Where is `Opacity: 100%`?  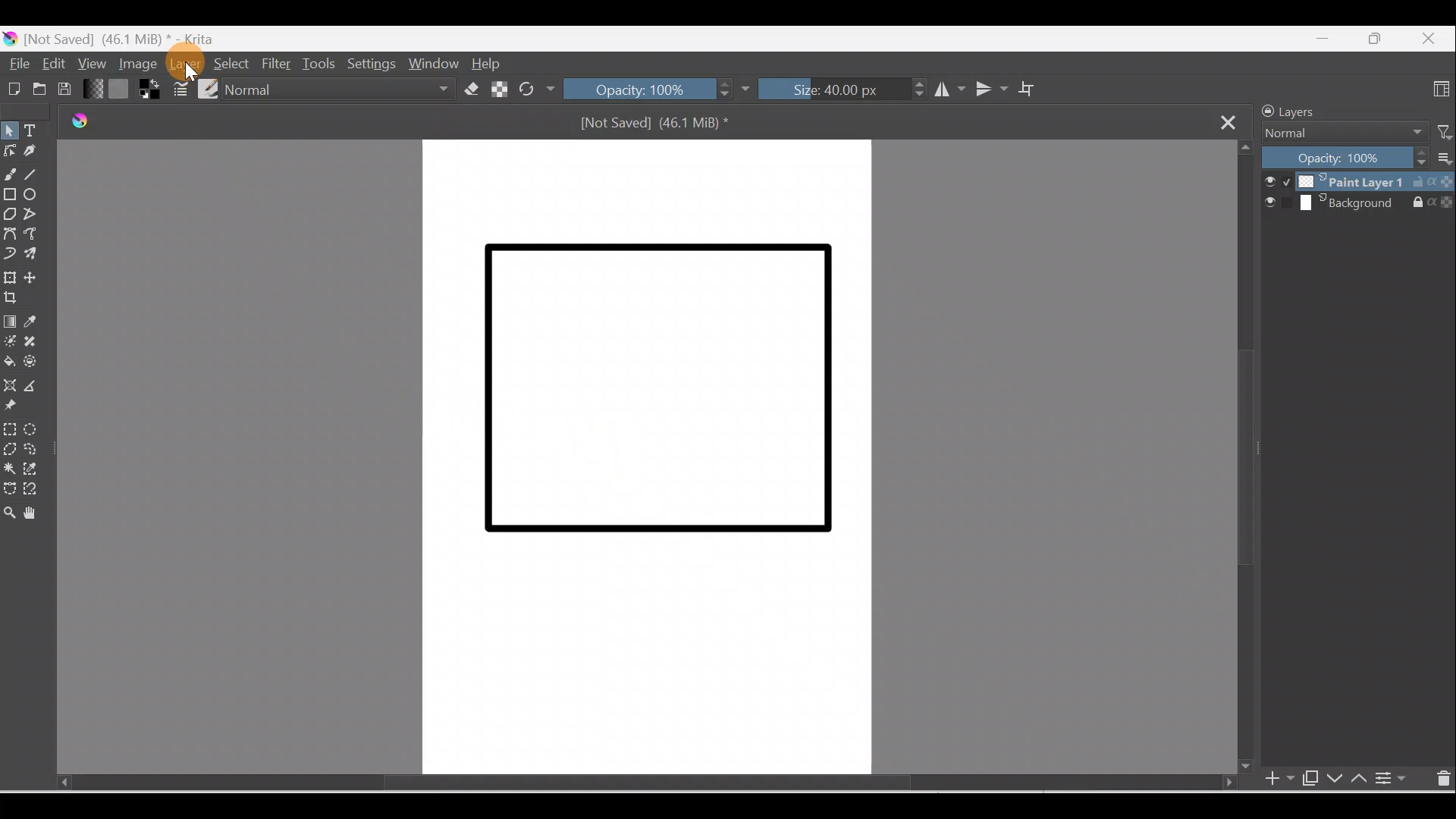 Opacity: 100% is located at coordinates (1345, 158).